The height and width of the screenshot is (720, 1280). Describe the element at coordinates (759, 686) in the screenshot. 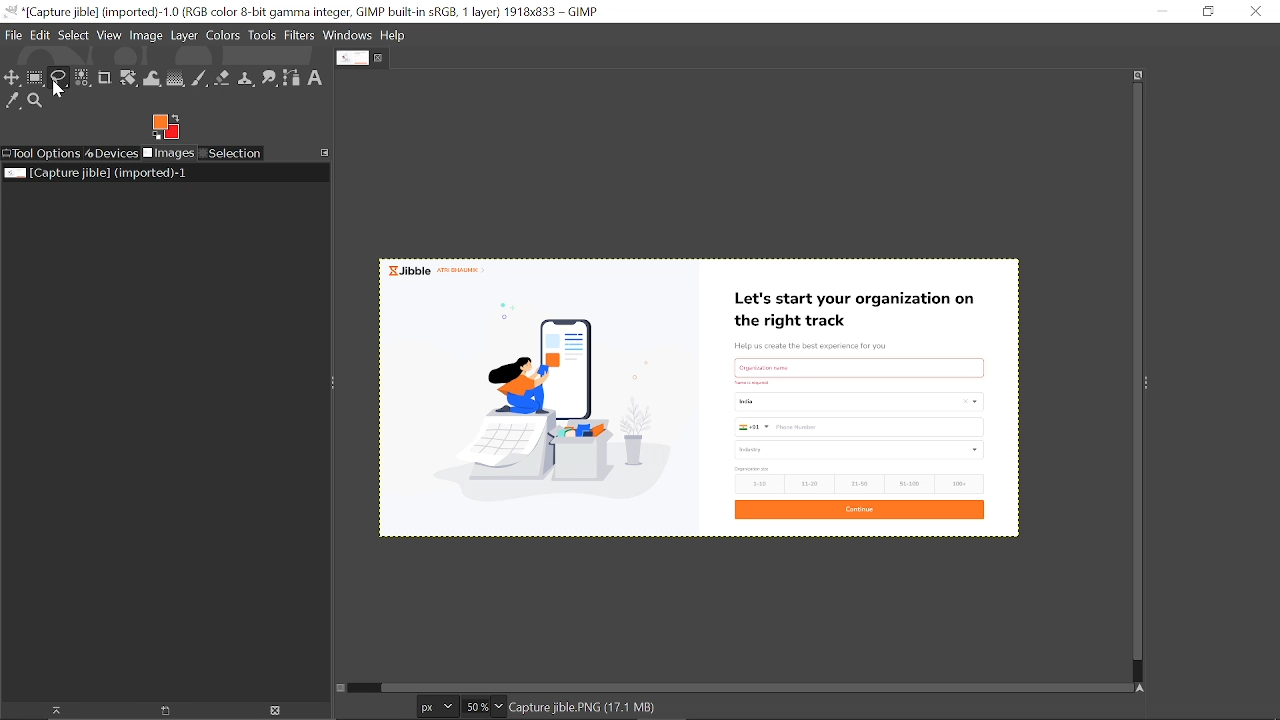

I see `Horizontal scrollbar` at that location.